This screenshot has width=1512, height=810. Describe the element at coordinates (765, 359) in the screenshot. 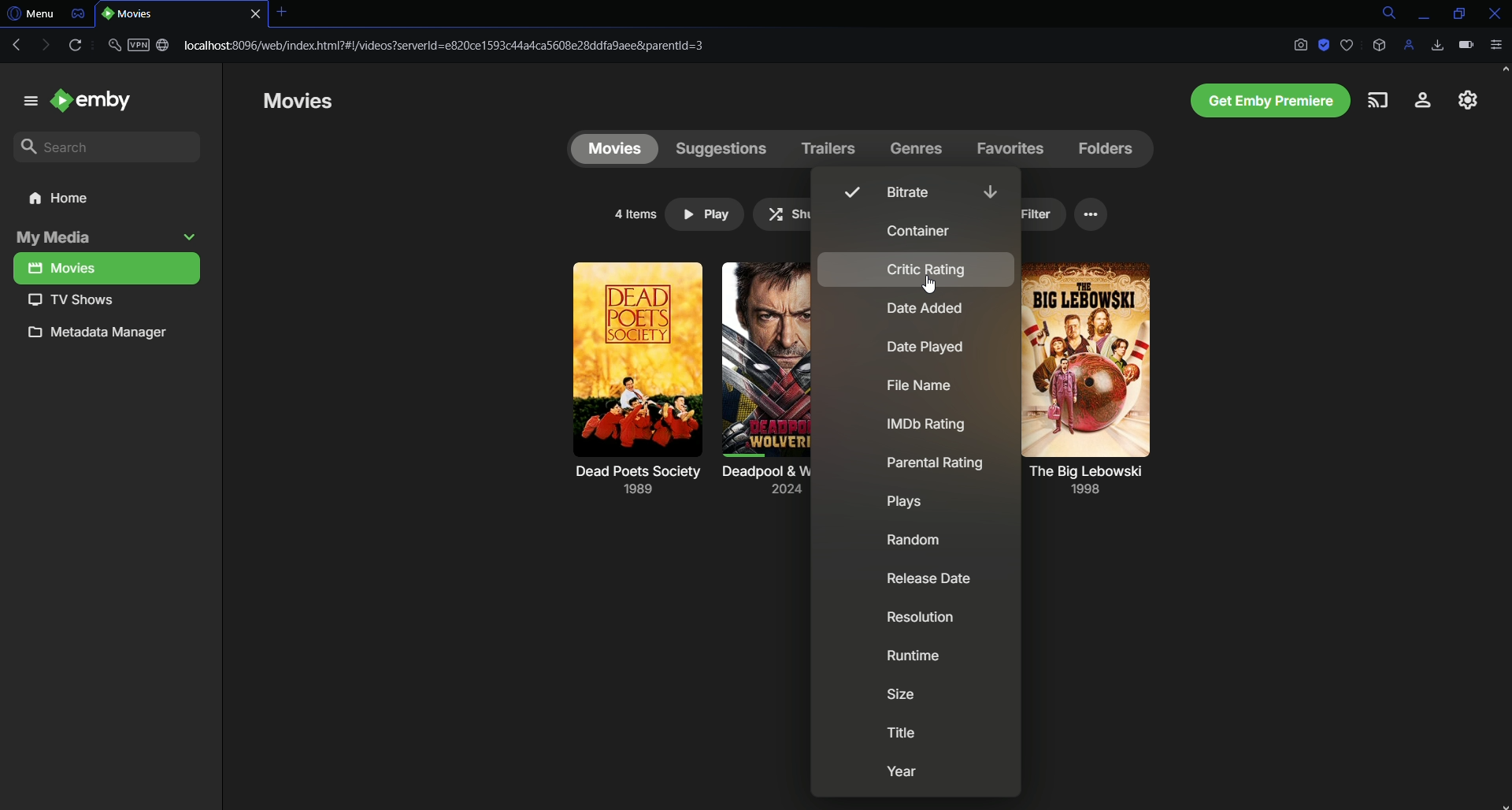

I see `Deadpool 3` at that location.